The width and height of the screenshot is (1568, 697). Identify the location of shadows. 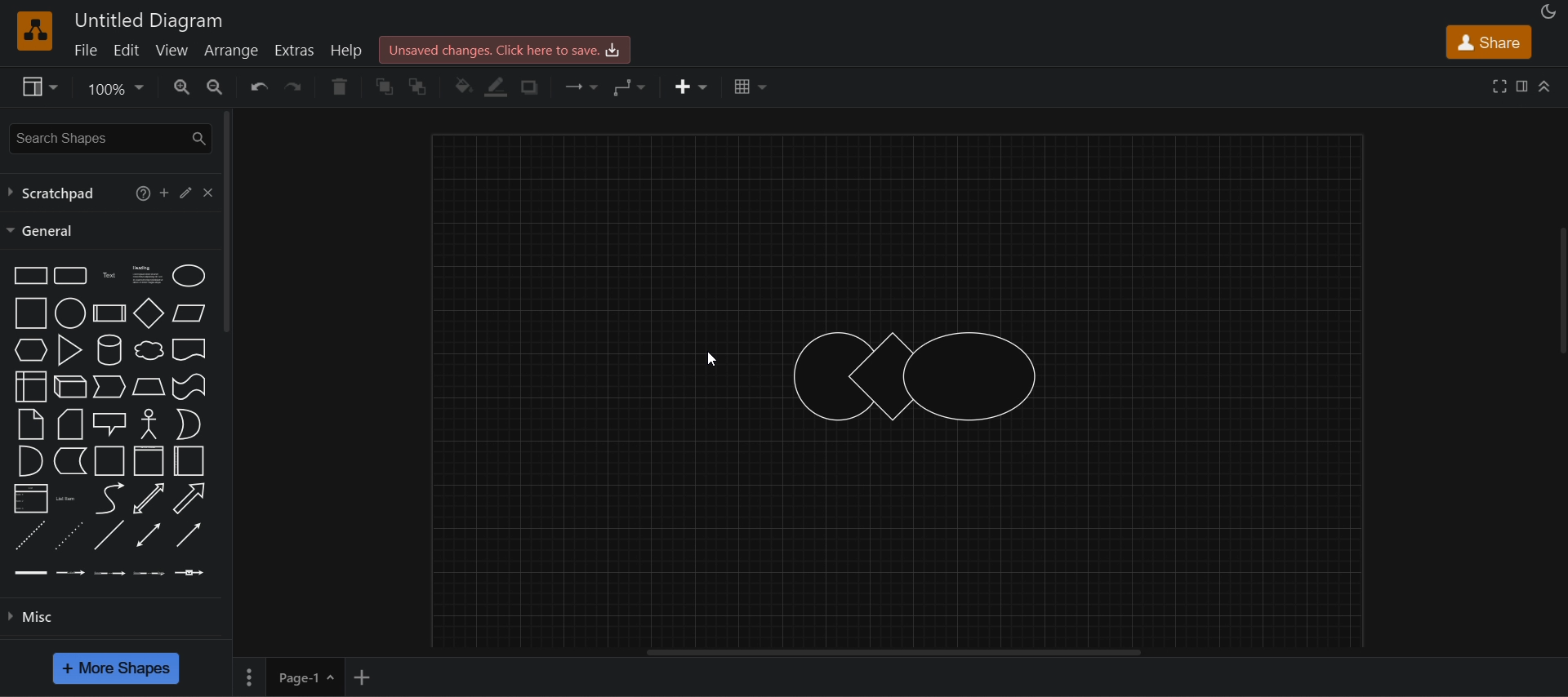
(528, 87).